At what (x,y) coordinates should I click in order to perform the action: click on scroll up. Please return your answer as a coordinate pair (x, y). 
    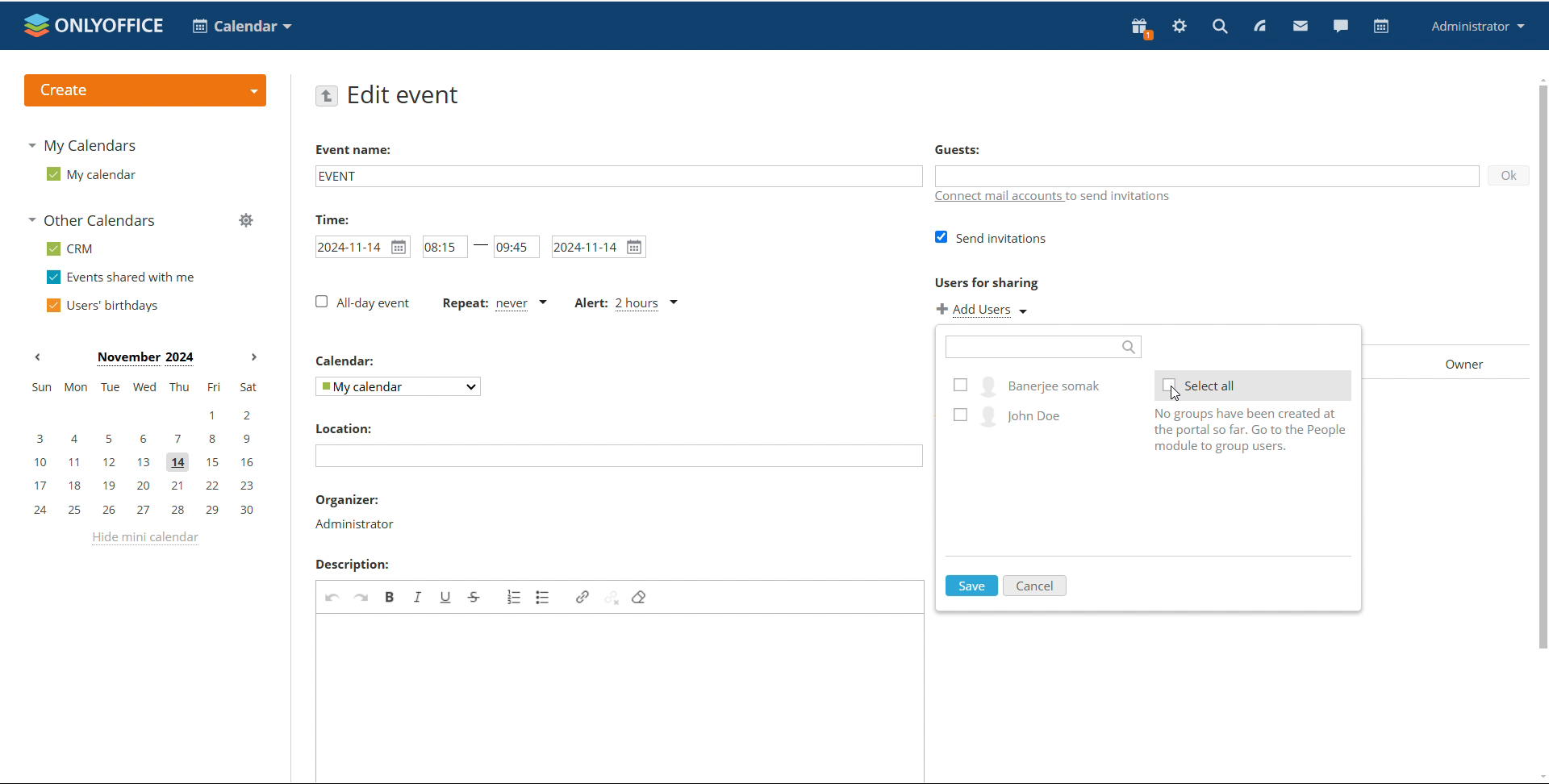
    Looking at the image, I should click on (1539, 78).